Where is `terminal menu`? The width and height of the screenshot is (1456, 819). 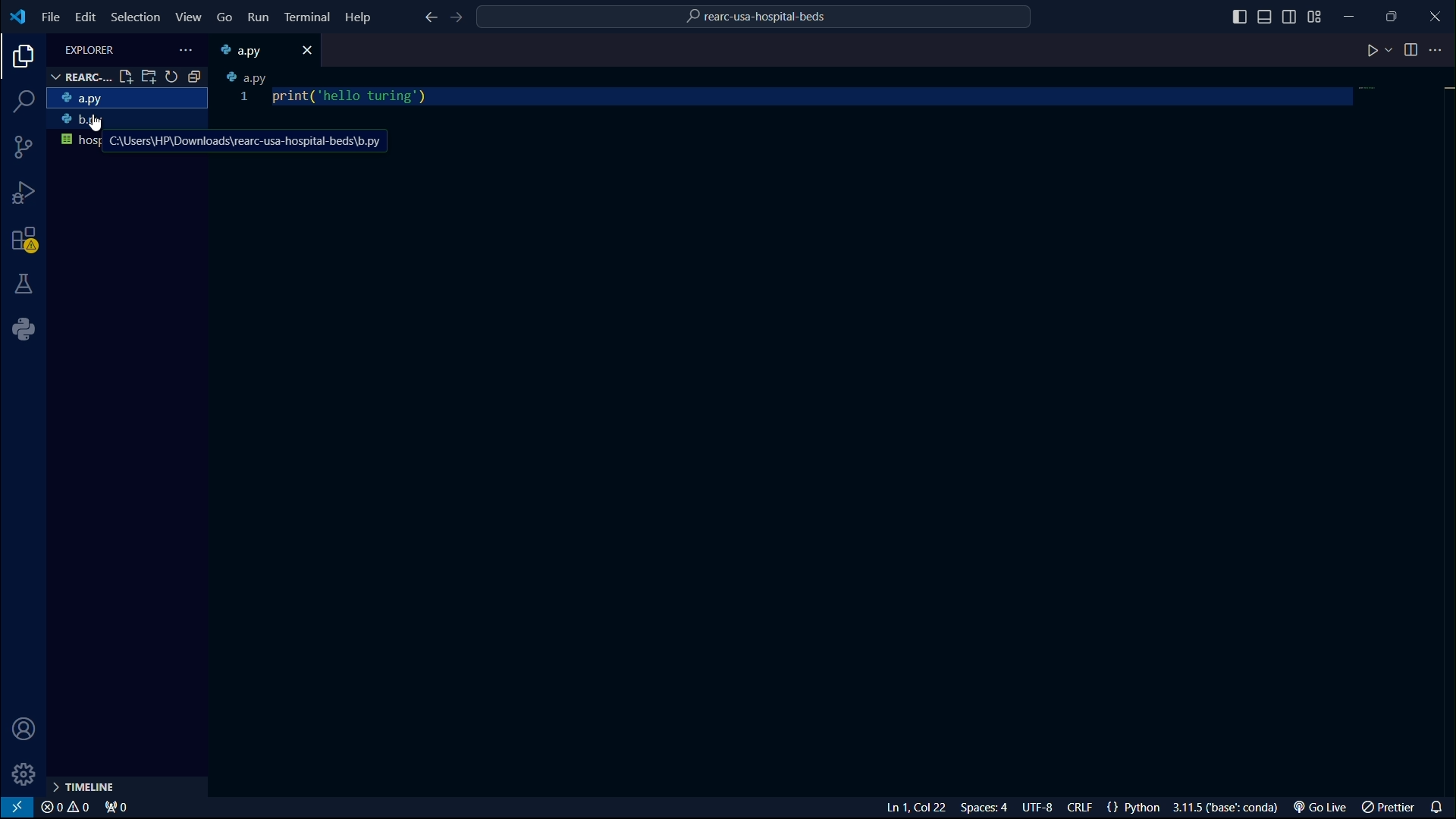 terminal menu is located at coordinates (308, 18).